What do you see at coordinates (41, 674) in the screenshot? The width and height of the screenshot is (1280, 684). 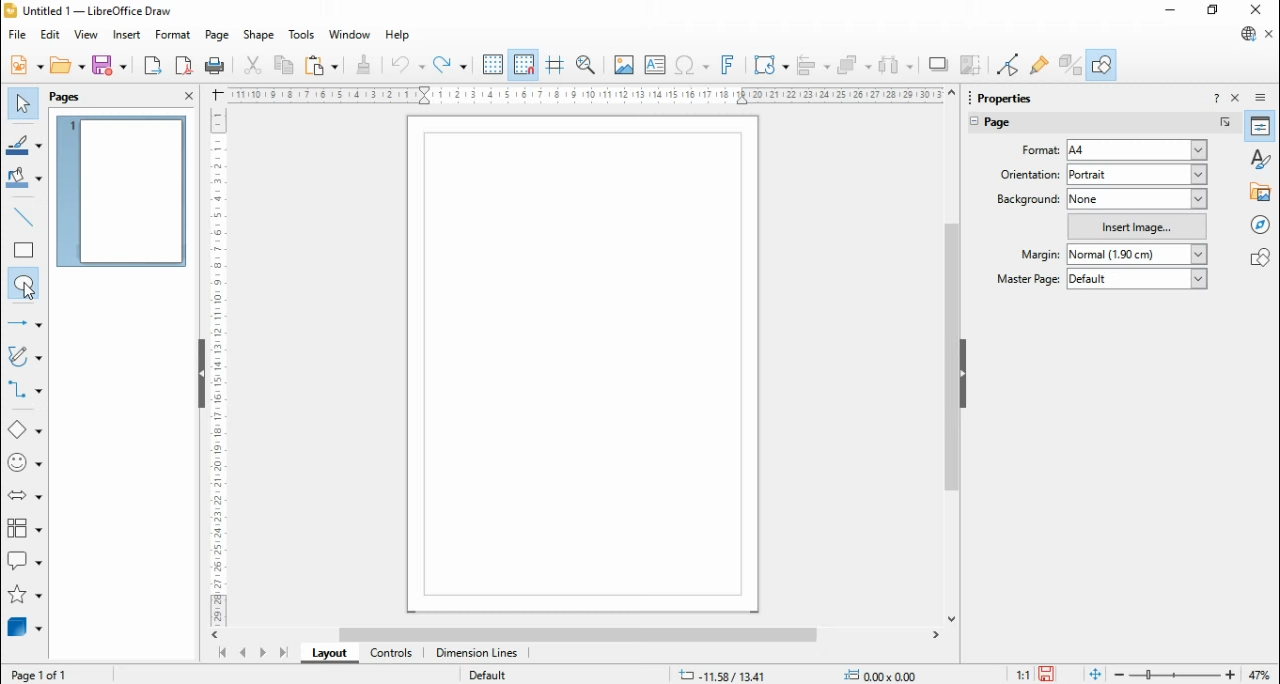 I see `Page 10f 1` at bounding box center [41, 674].